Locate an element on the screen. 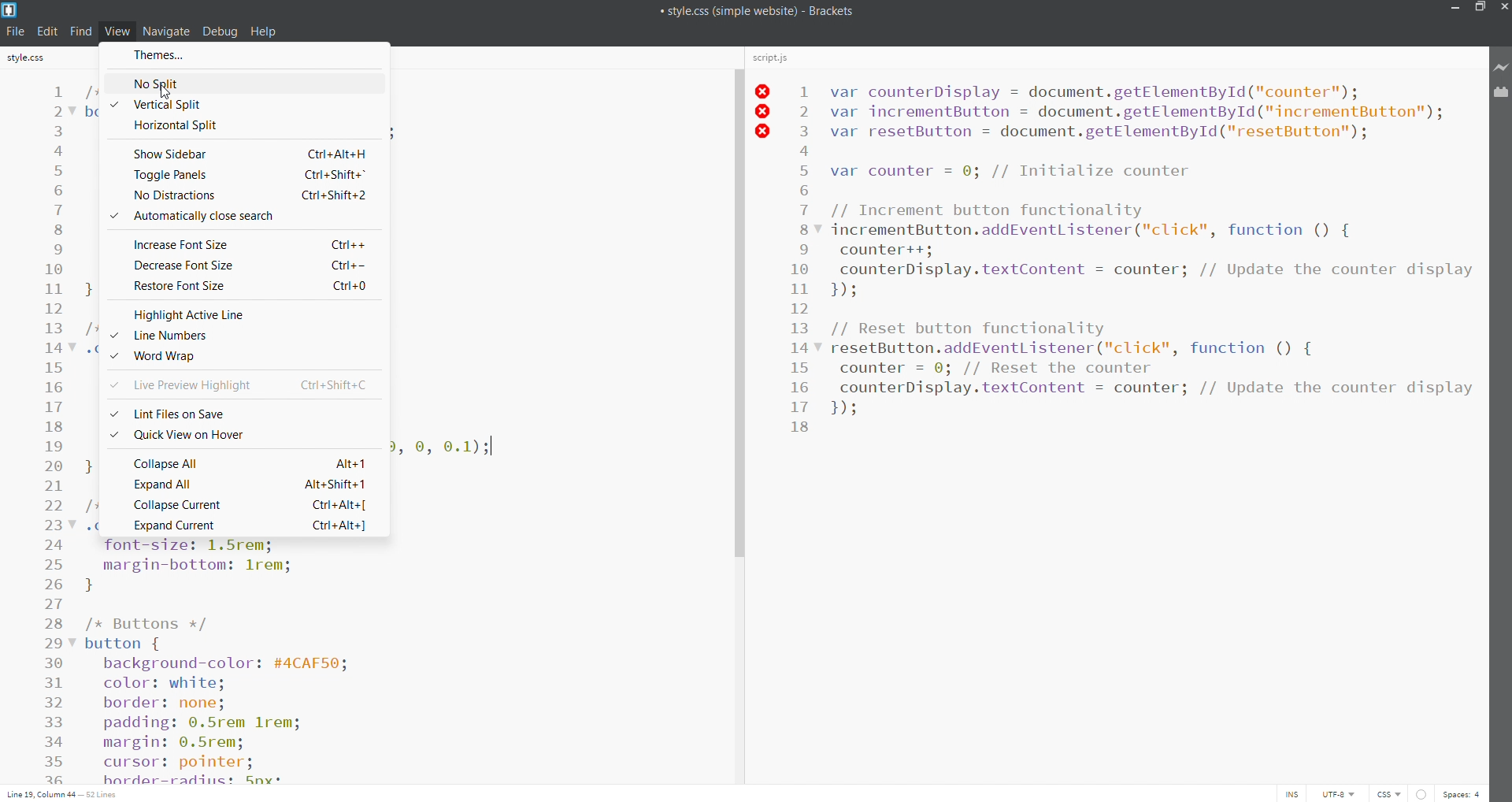 The image size is (1512, 802). show sidebar is located at coordinates (239, 151).